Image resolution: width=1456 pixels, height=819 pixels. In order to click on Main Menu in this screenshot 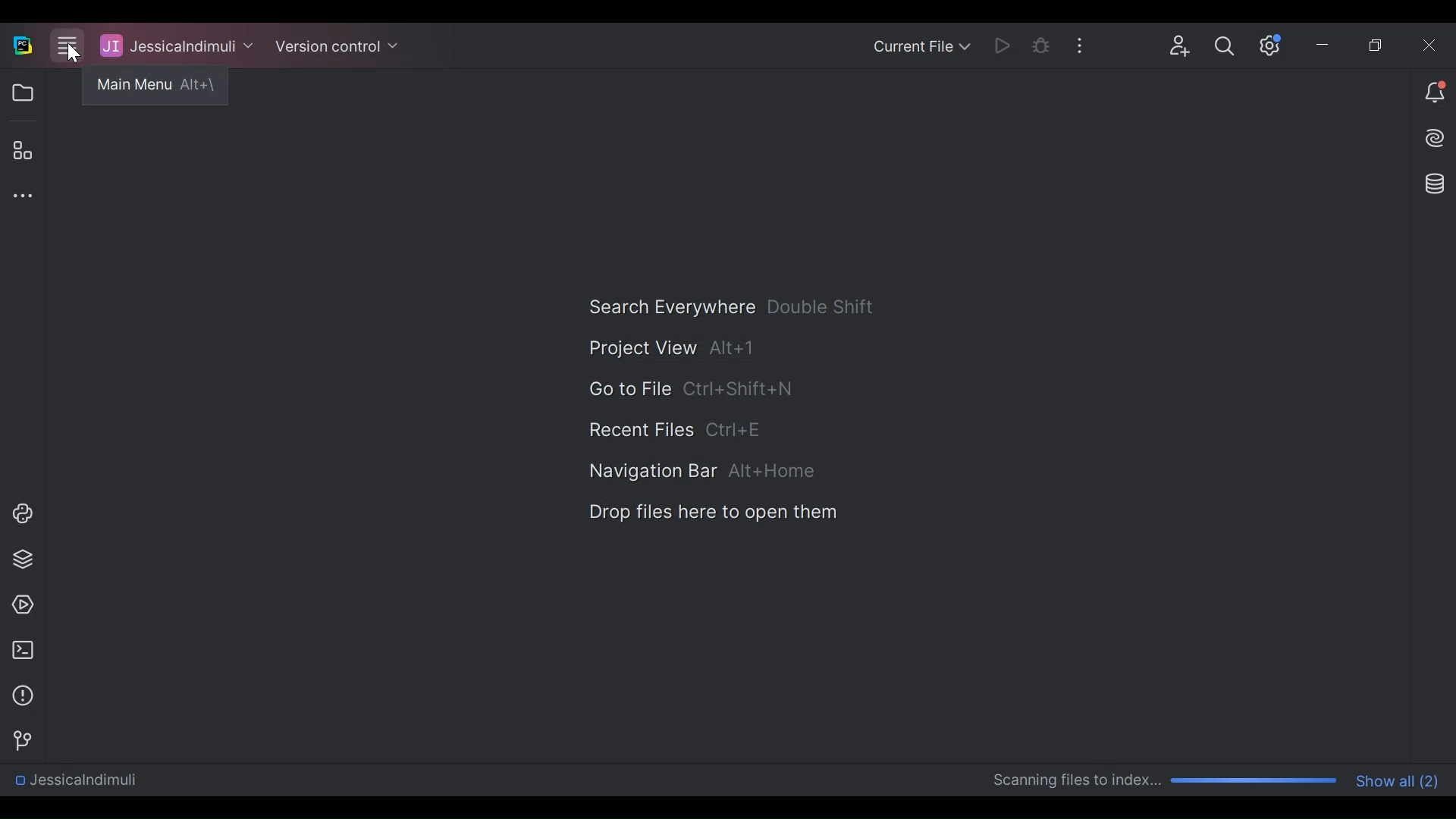, I will do `click(67, 45)`.